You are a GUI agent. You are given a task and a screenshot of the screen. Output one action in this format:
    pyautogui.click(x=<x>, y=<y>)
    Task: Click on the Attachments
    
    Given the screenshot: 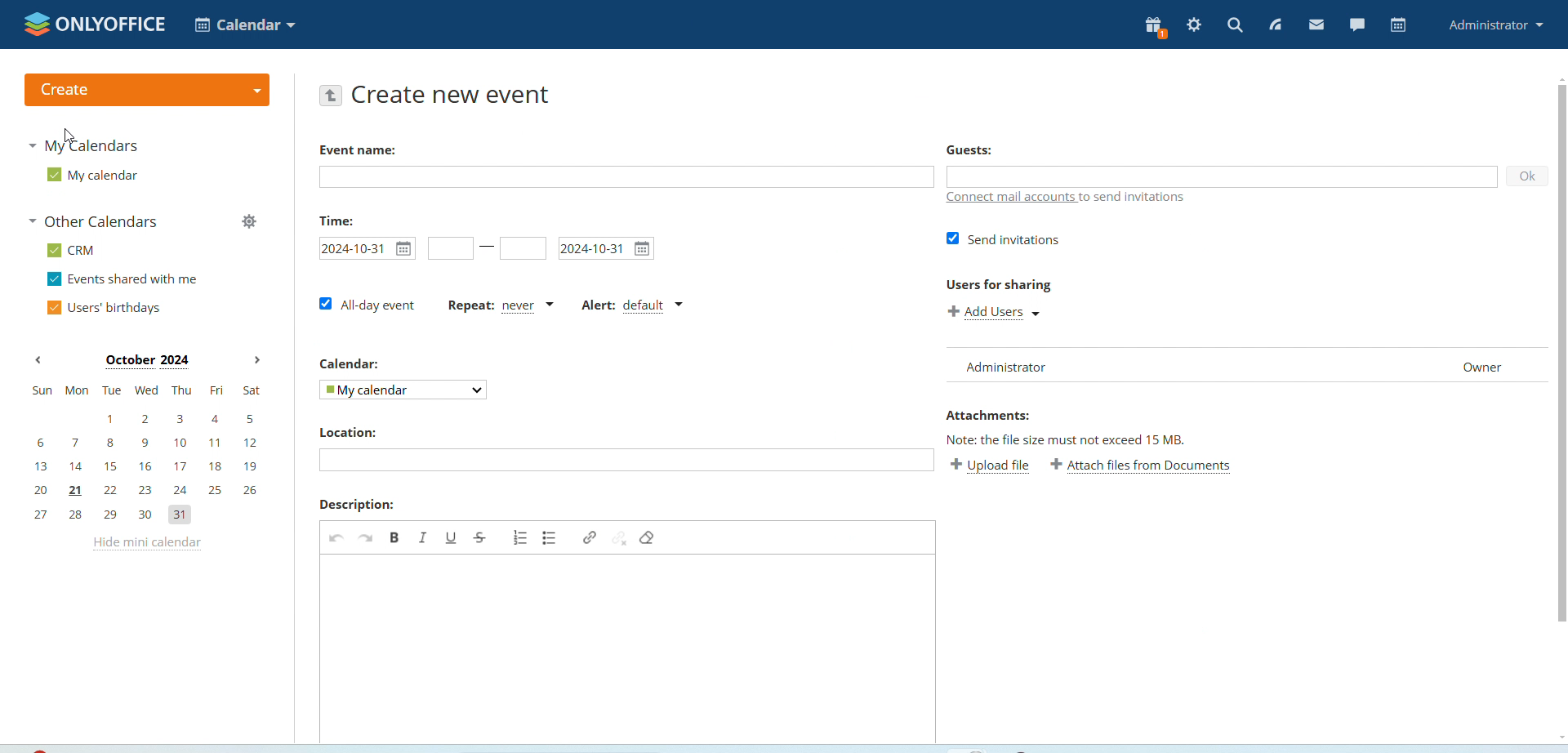 What is the action you would take?
    pyautogui.click(x=987, y=415)
    